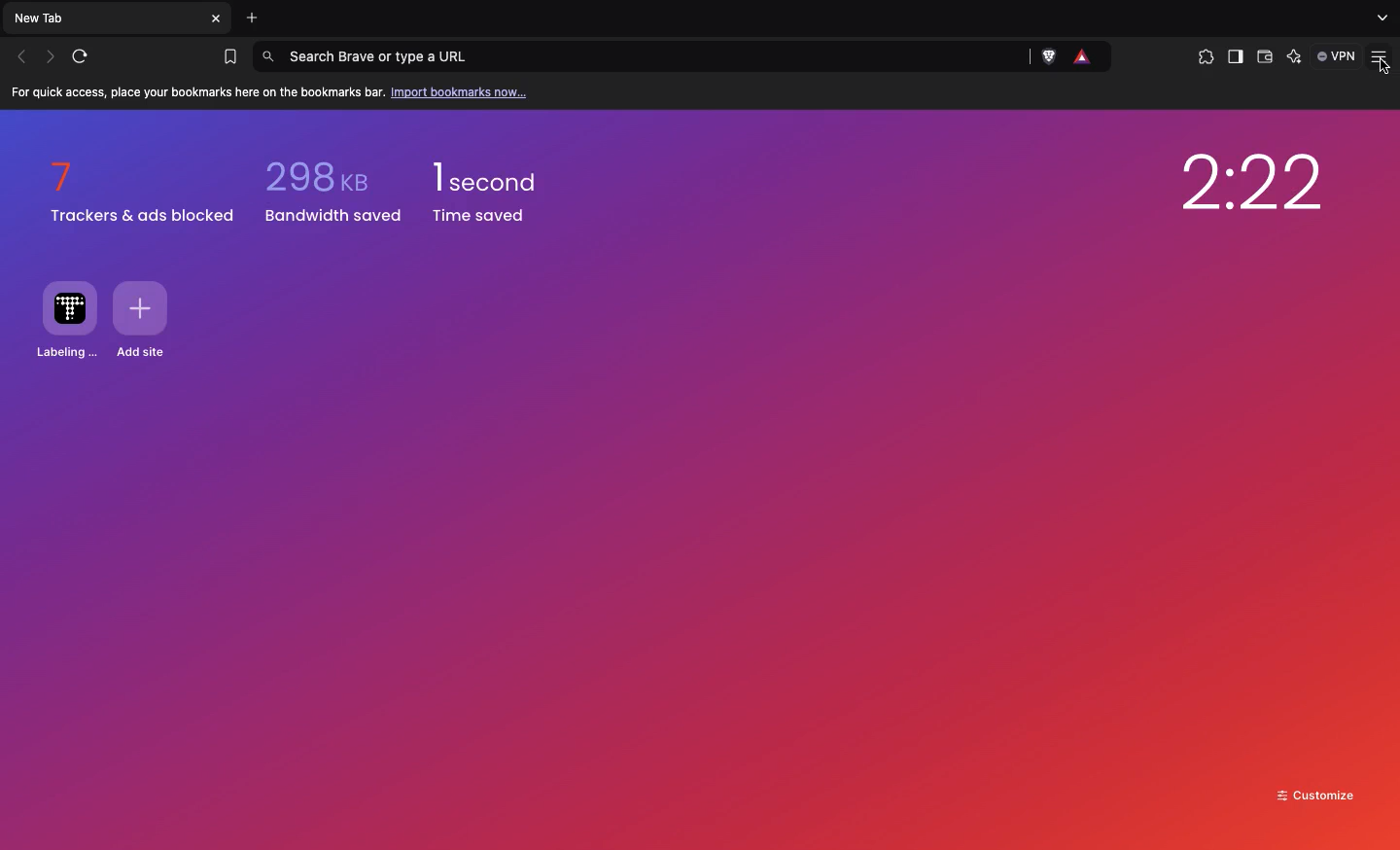  Describe the element at coordinates (1050, 57) in the screenshot. I see `Brave shields` at that location.